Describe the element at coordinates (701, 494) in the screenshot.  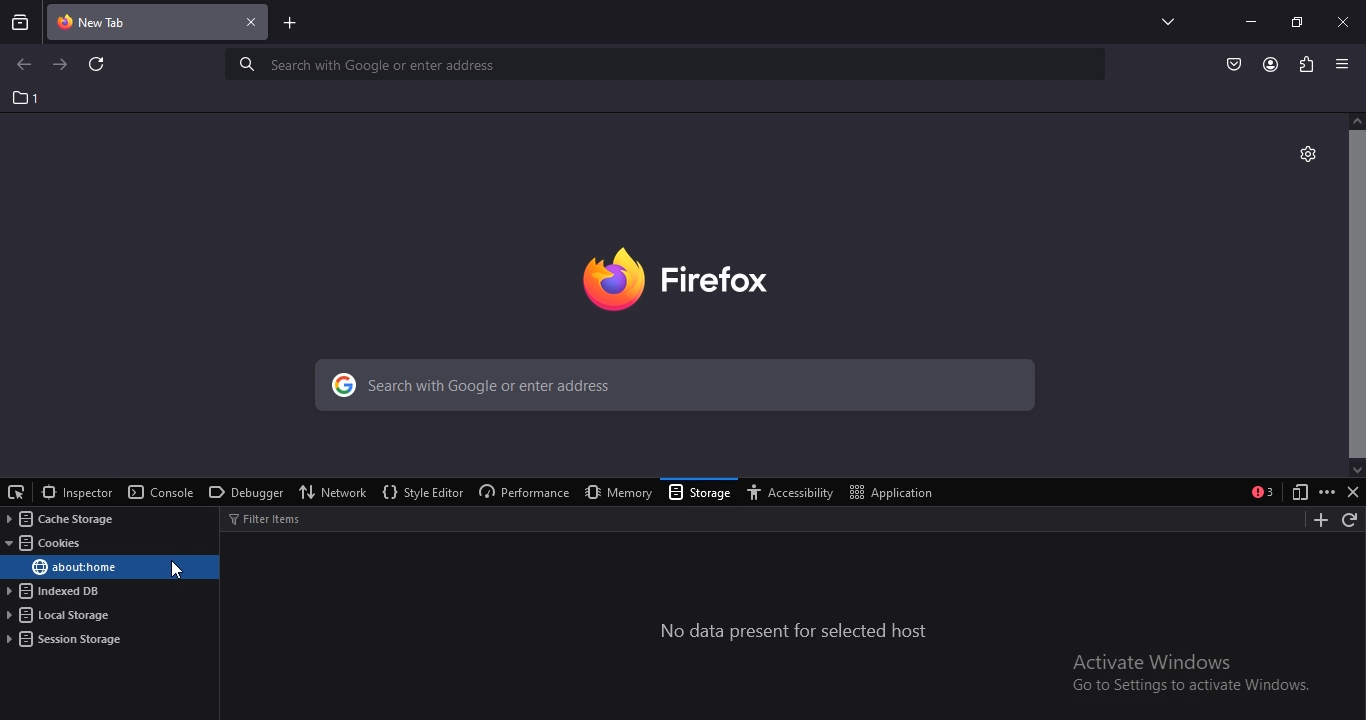
I see `storage` at that location.